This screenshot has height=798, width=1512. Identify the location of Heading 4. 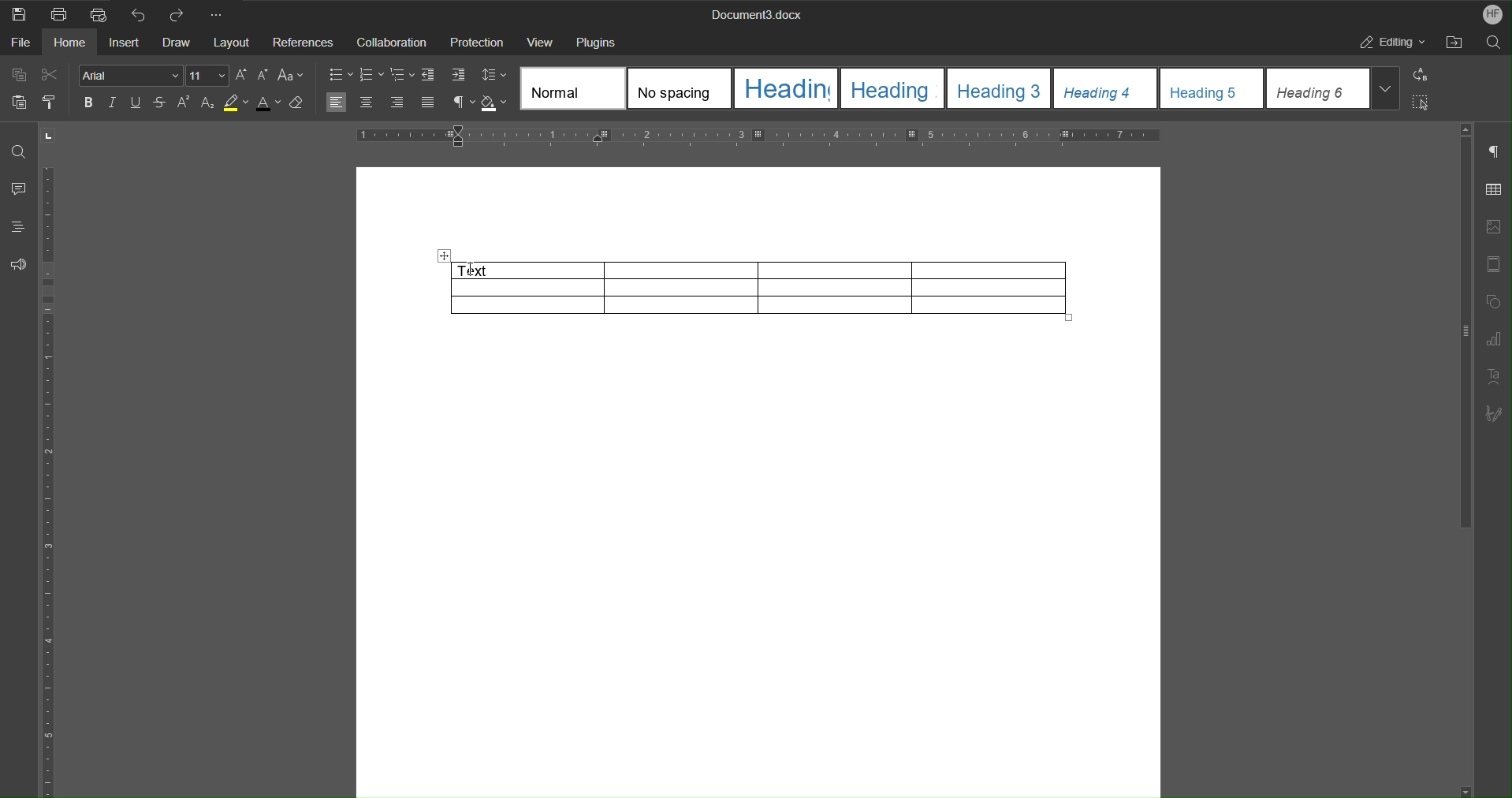
(1105, 88).